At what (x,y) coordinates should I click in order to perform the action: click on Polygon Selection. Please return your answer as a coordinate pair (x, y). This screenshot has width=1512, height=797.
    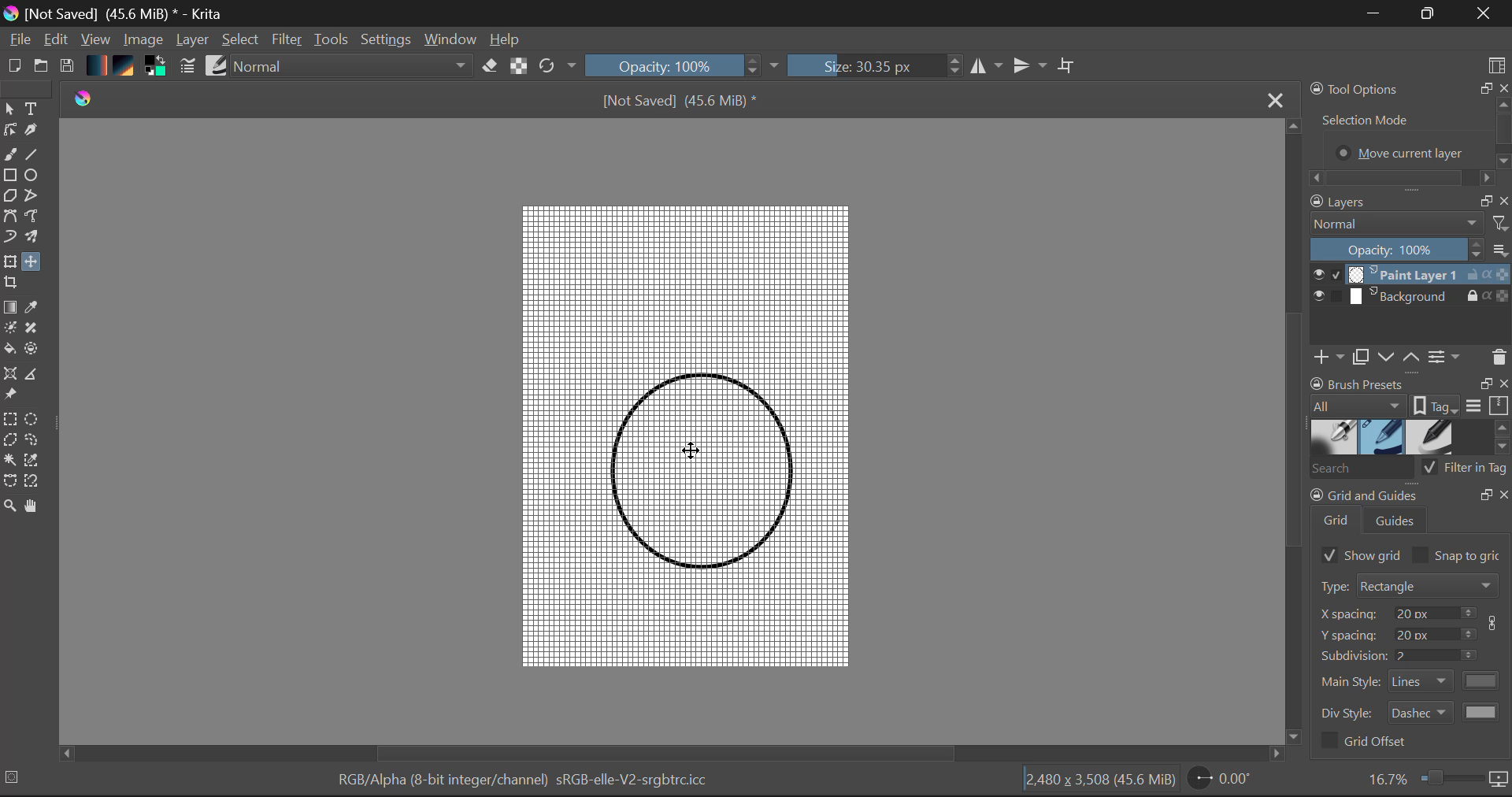
    Looking at the image, I should click on (10, 441).